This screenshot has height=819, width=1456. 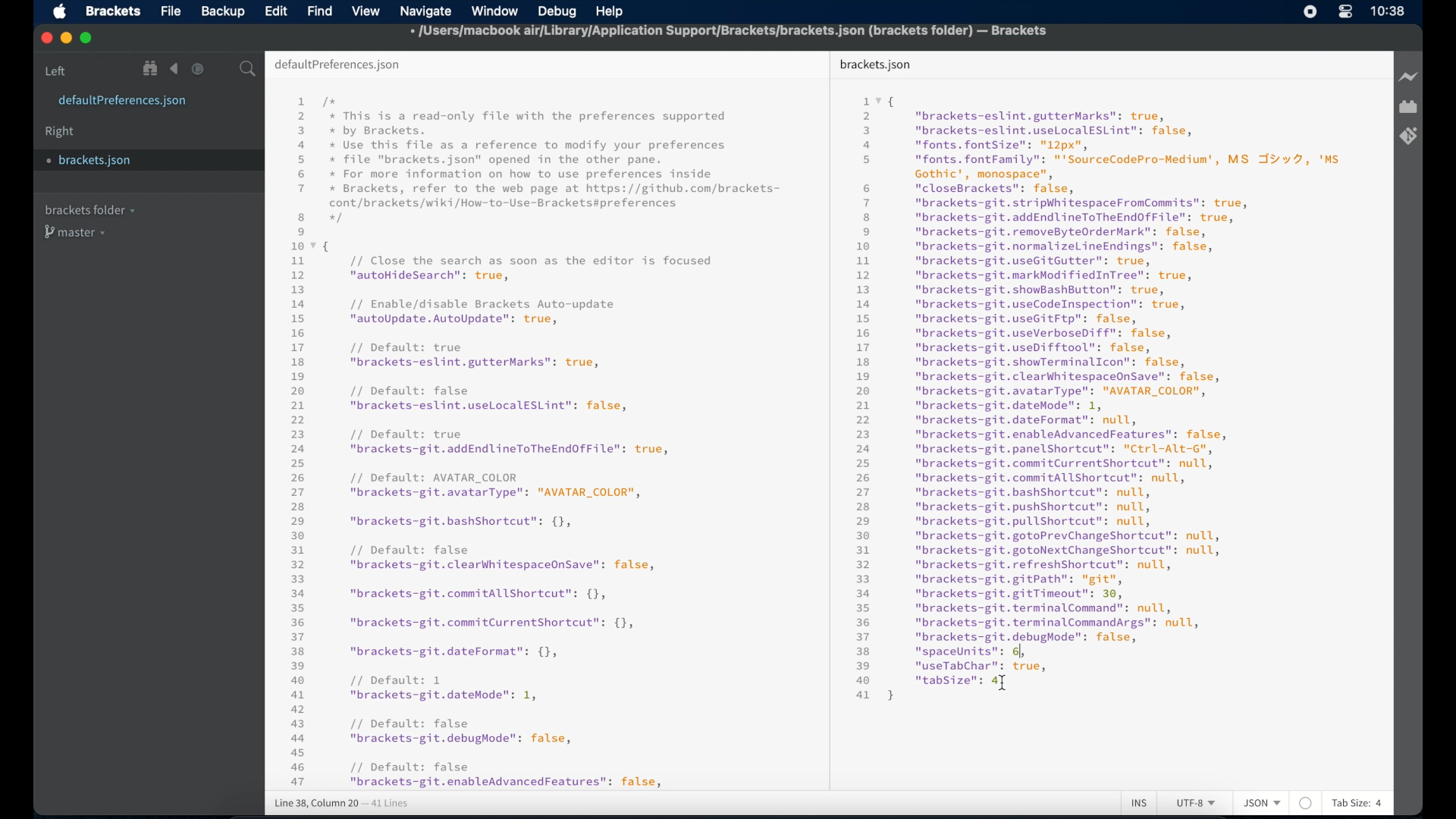 I want to click on brackets.json, so click(x=96, y=161).